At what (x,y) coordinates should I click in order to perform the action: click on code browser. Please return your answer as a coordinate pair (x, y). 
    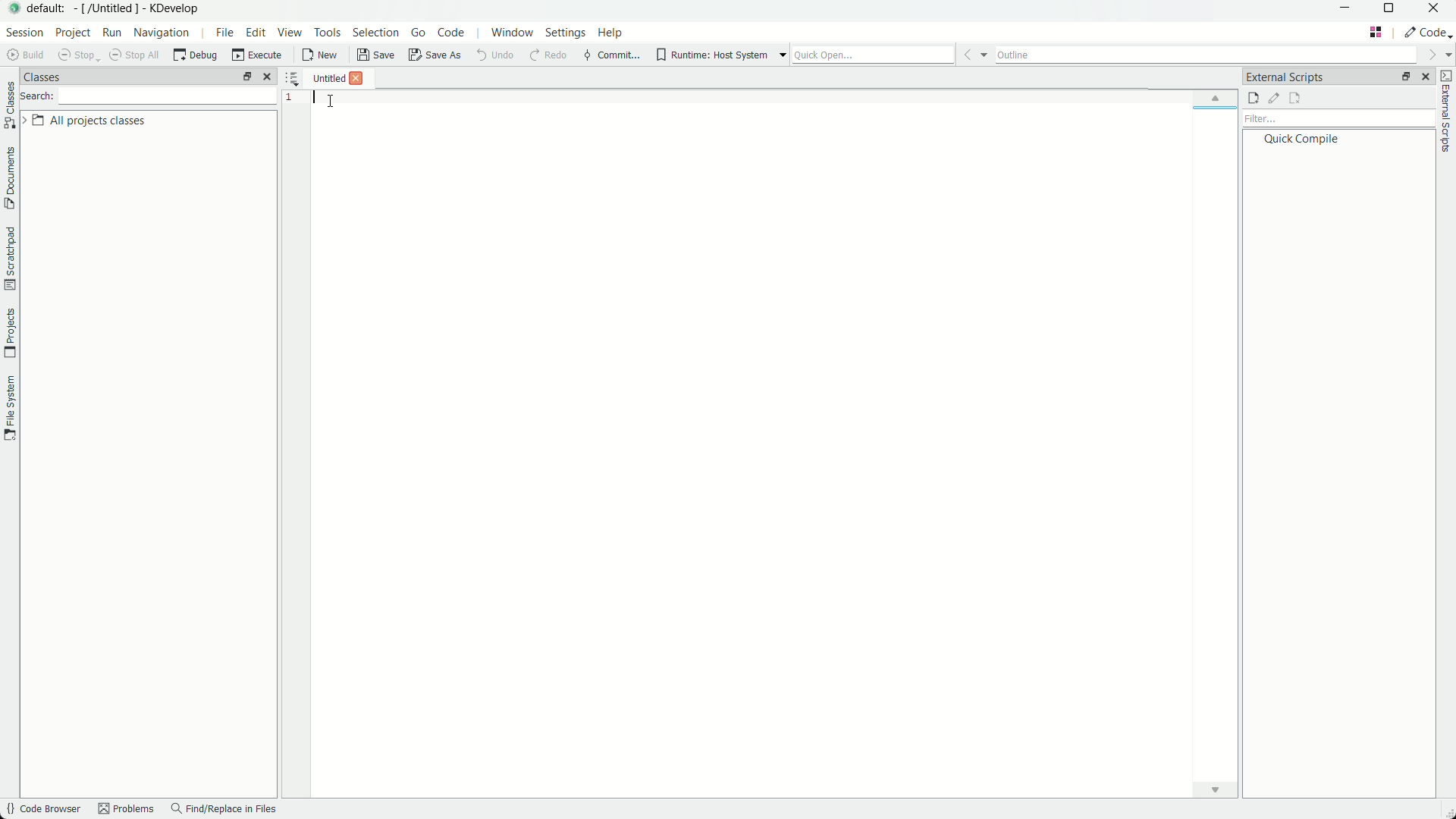
    Looking at the image, I should click on (43, 810).